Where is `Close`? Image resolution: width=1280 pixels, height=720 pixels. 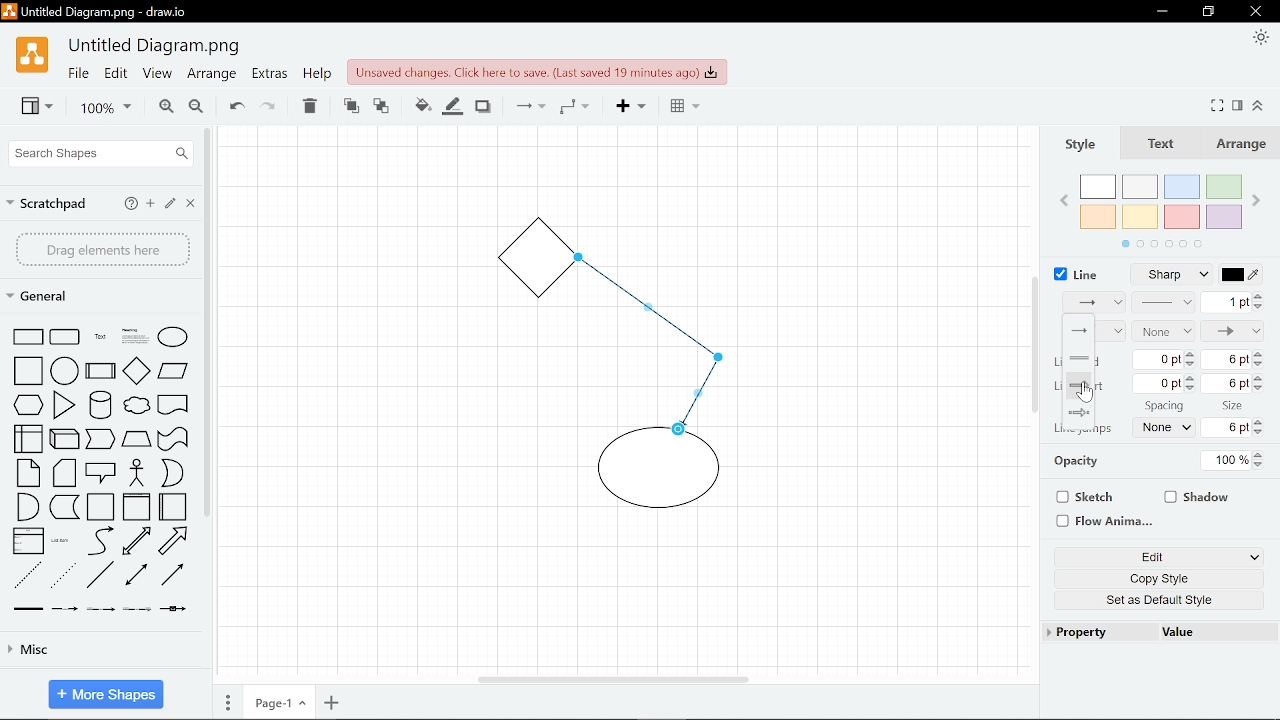
Close is located at coordinates (192, 205).